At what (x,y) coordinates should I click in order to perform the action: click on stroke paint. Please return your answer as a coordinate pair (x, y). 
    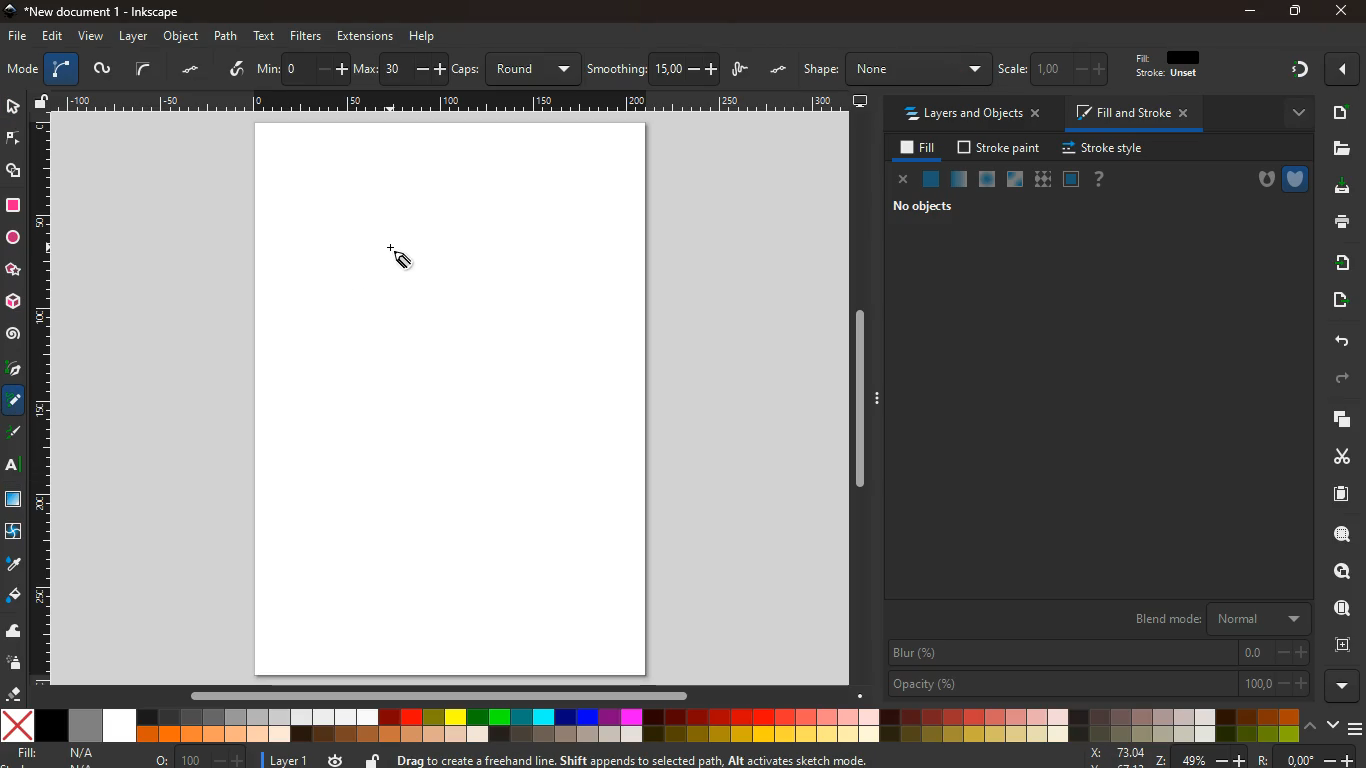
    Looking at the image, I should click on (1001, 148).